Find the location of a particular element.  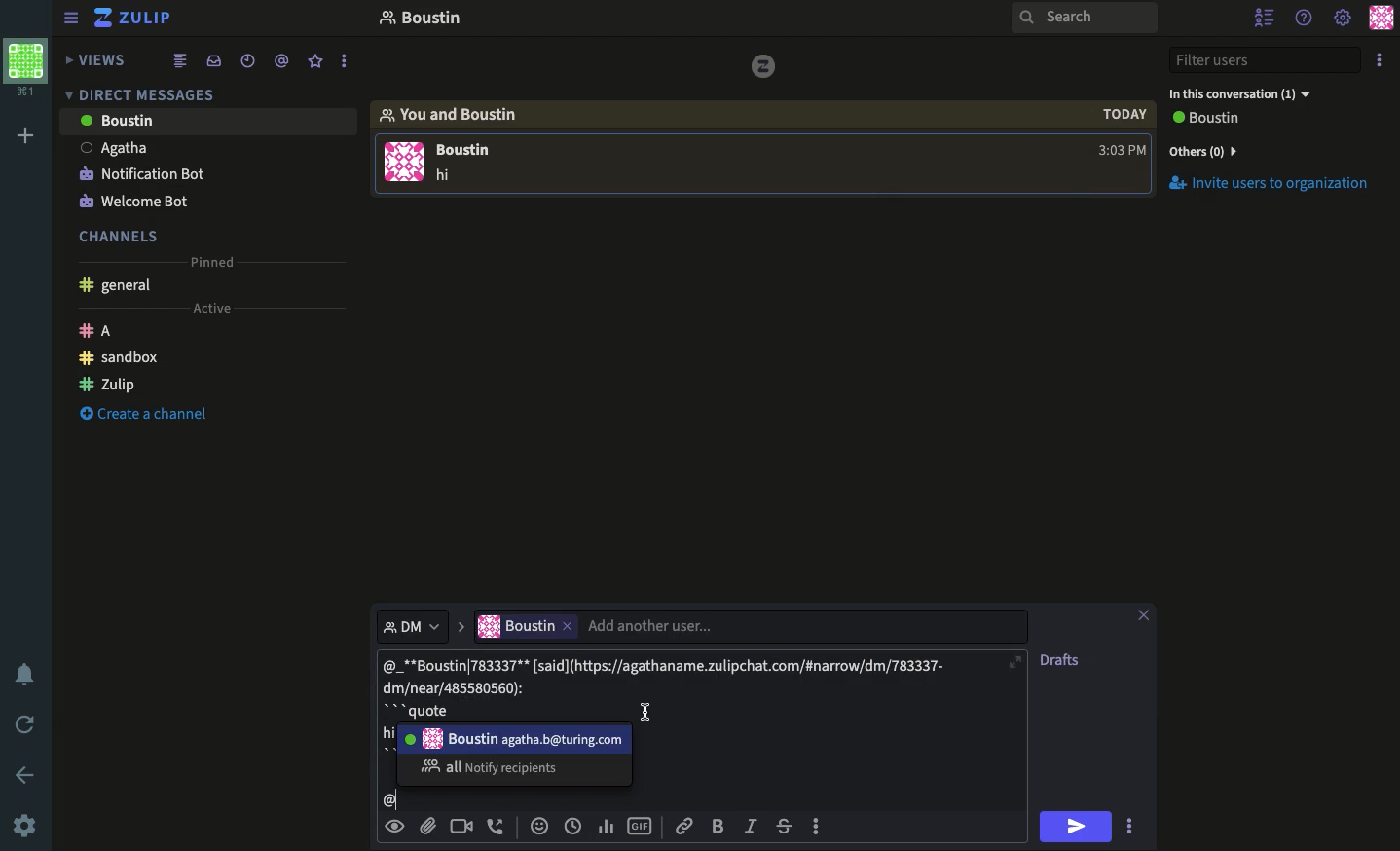

Send is located at coordinates (1079, 826).